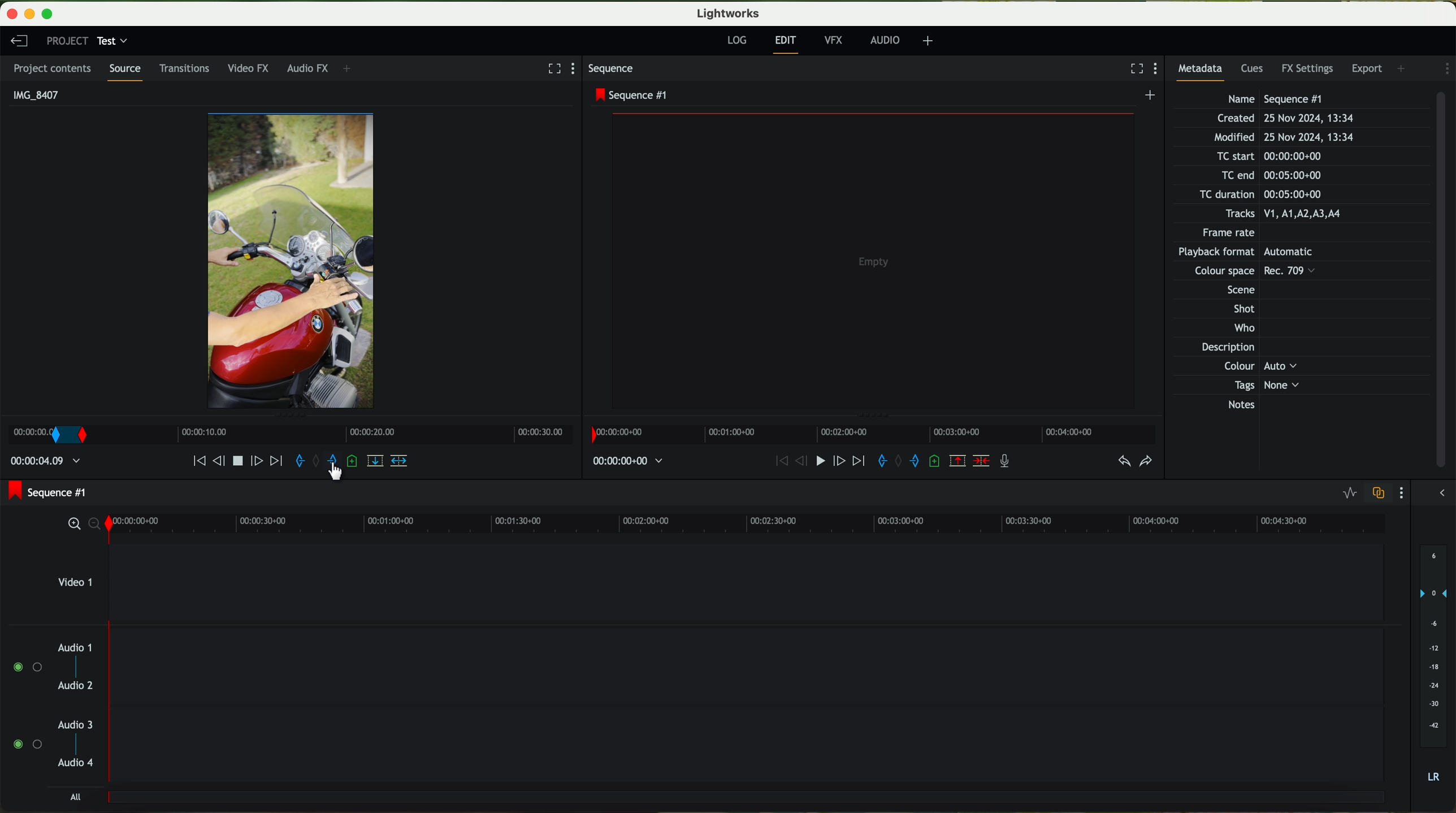 This screenshot has height=813, width=1456. I want to click on track, so click(748, 799).